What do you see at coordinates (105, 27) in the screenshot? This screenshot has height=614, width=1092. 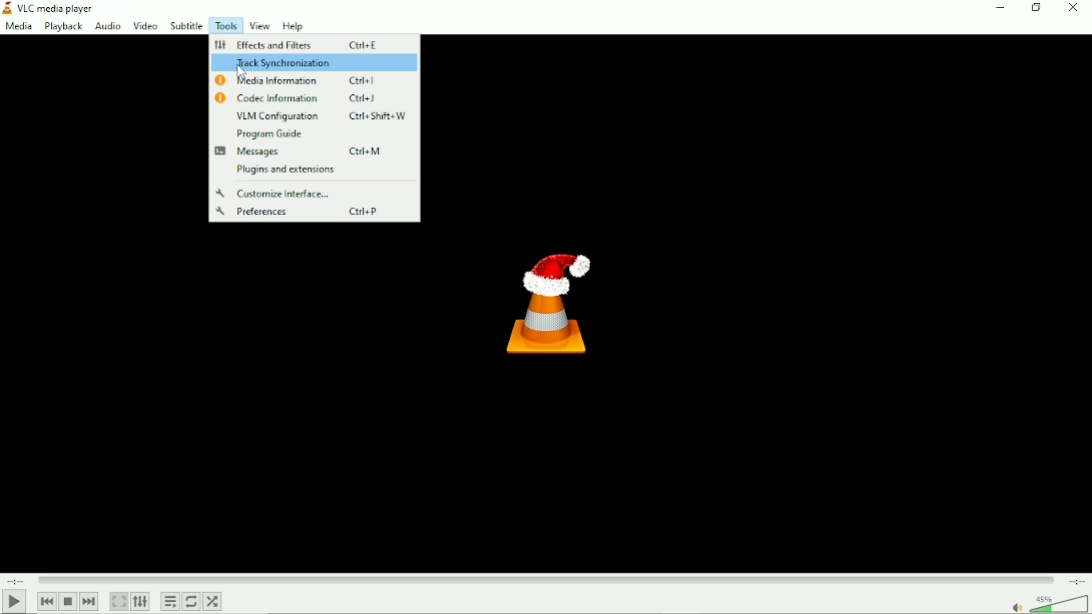 I see `Audio` at bounding box center [105, 27].